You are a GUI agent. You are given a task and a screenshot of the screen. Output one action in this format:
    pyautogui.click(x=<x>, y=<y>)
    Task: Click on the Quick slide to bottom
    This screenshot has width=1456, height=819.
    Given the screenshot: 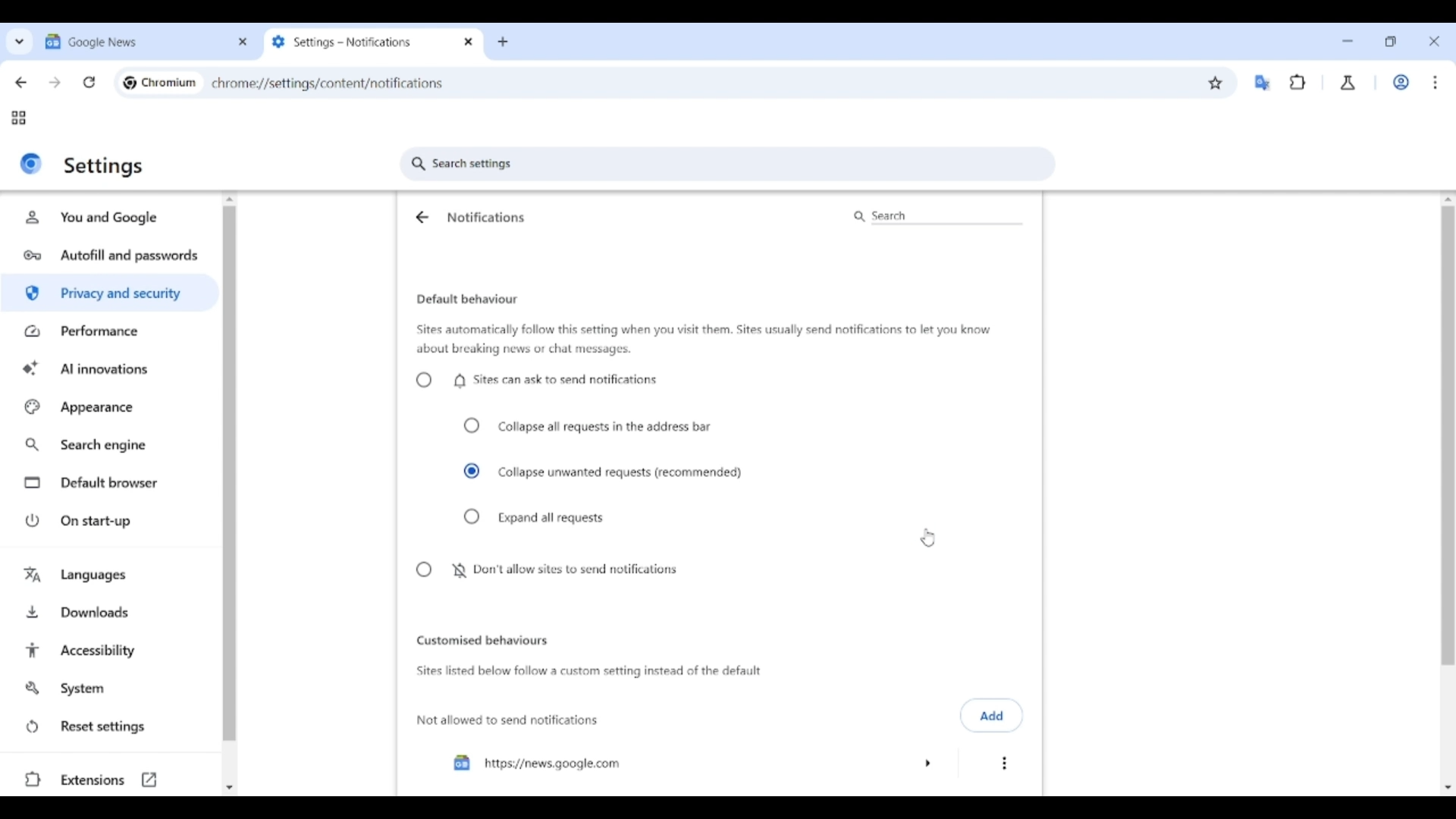 What is the action you would take?
    pyautogui.click(x=229, y=788)
    